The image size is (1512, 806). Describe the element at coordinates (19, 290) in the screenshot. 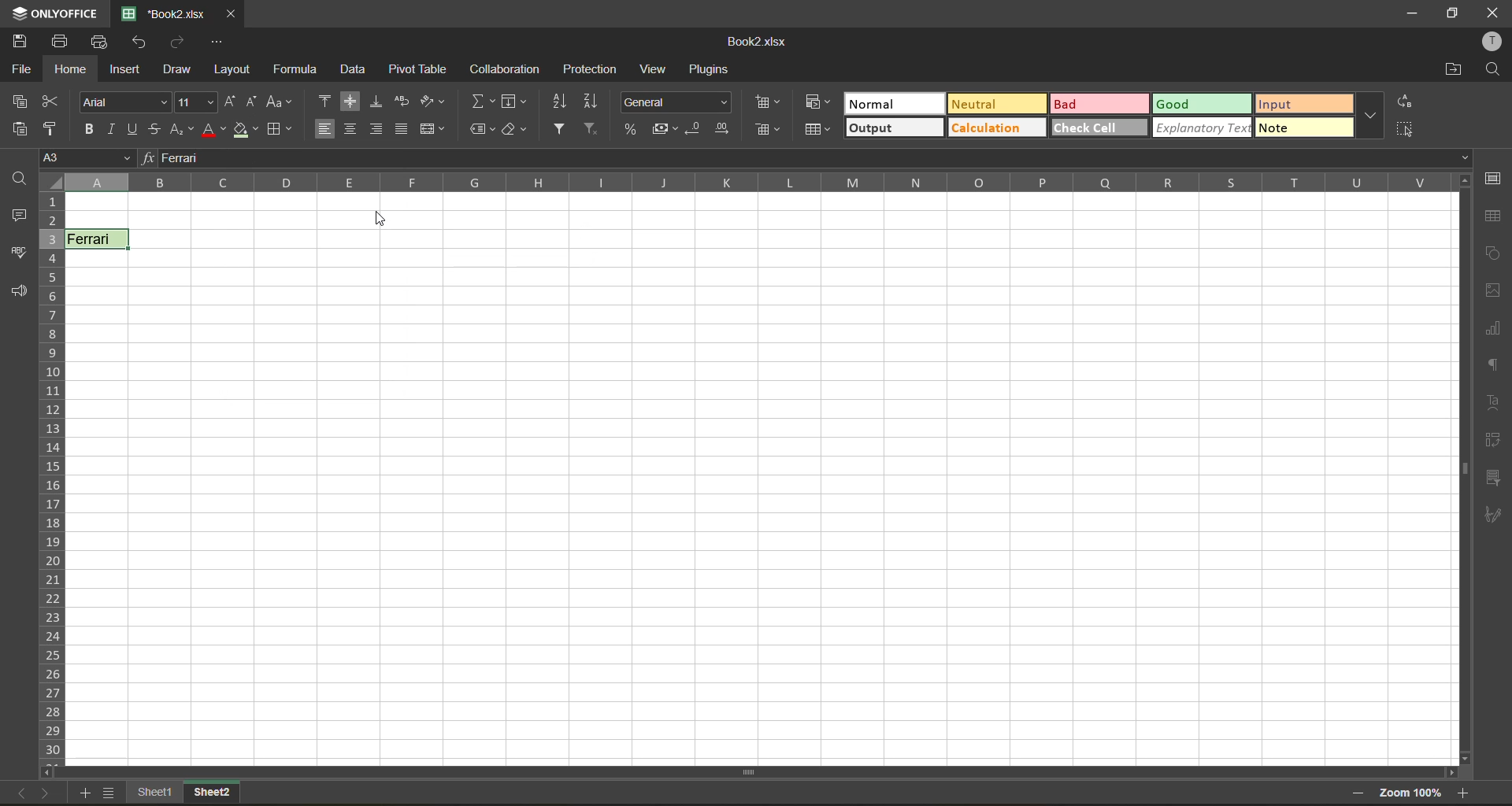

I see `feedback` at that location.